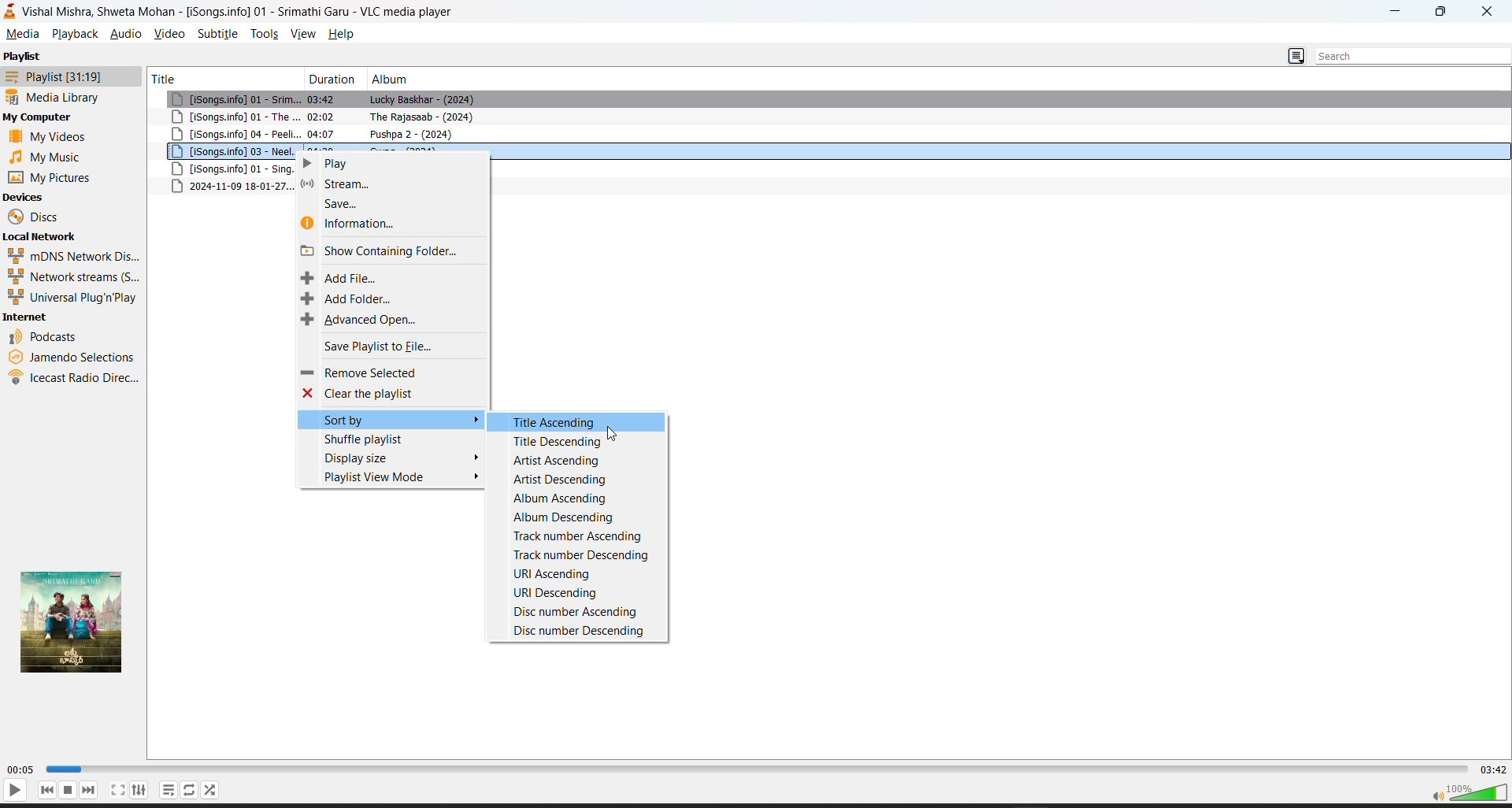 This screenshot has width=1512, height=808. I want to click on uri descending, so click(573, 592).